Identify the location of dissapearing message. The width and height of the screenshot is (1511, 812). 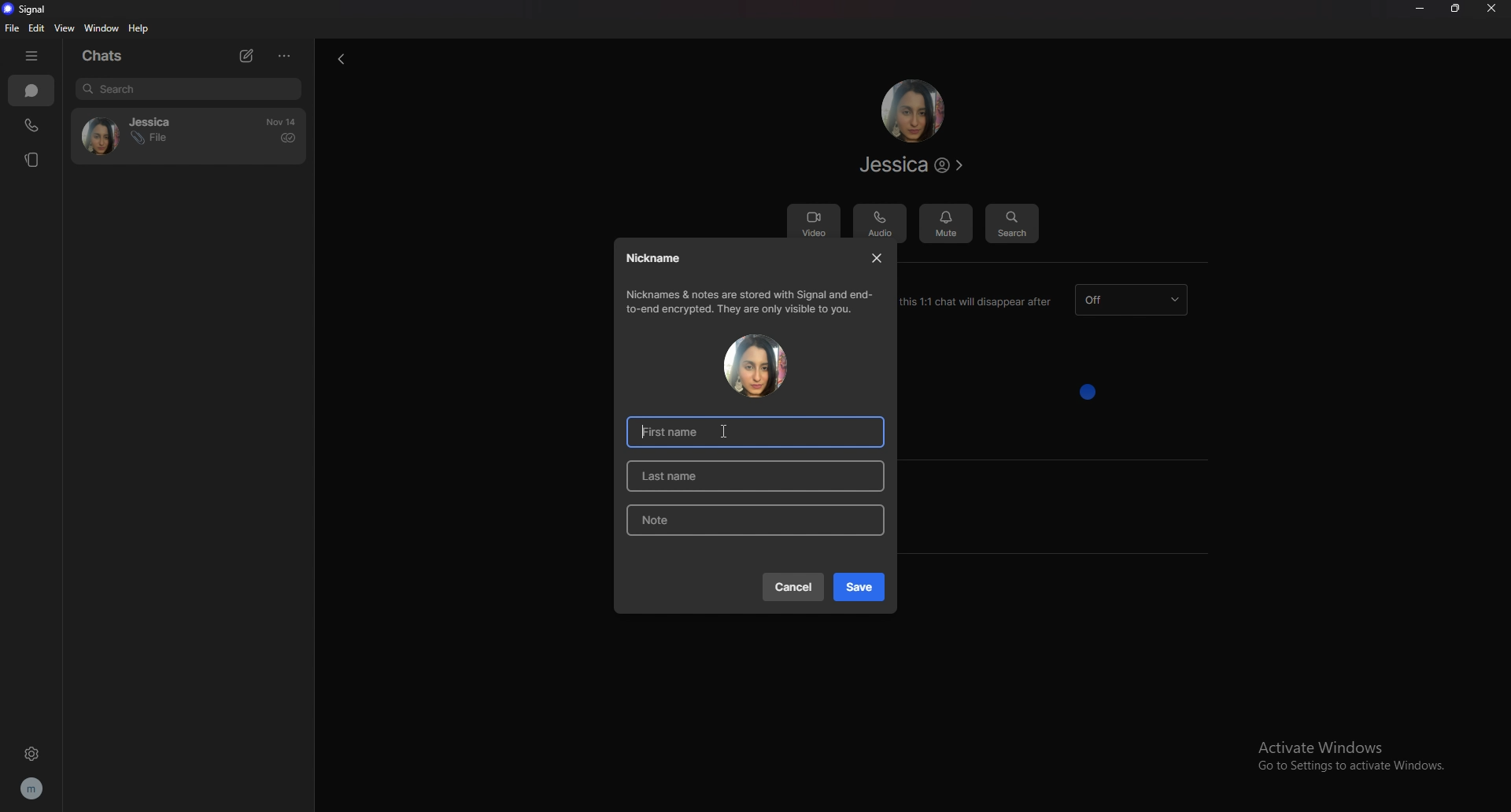
(1134, 300).